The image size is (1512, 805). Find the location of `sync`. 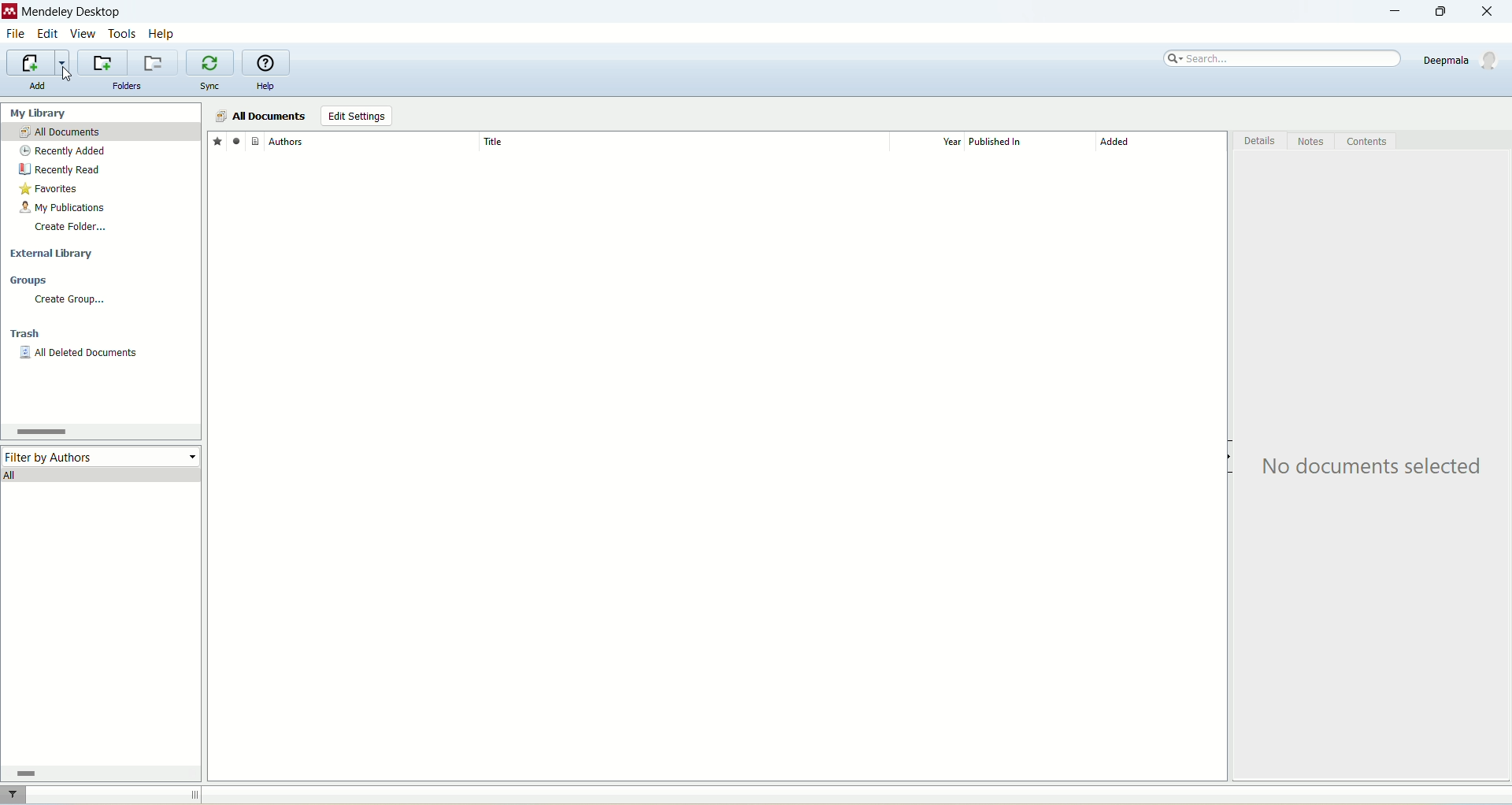

sync is located at coordinates (212, 87).